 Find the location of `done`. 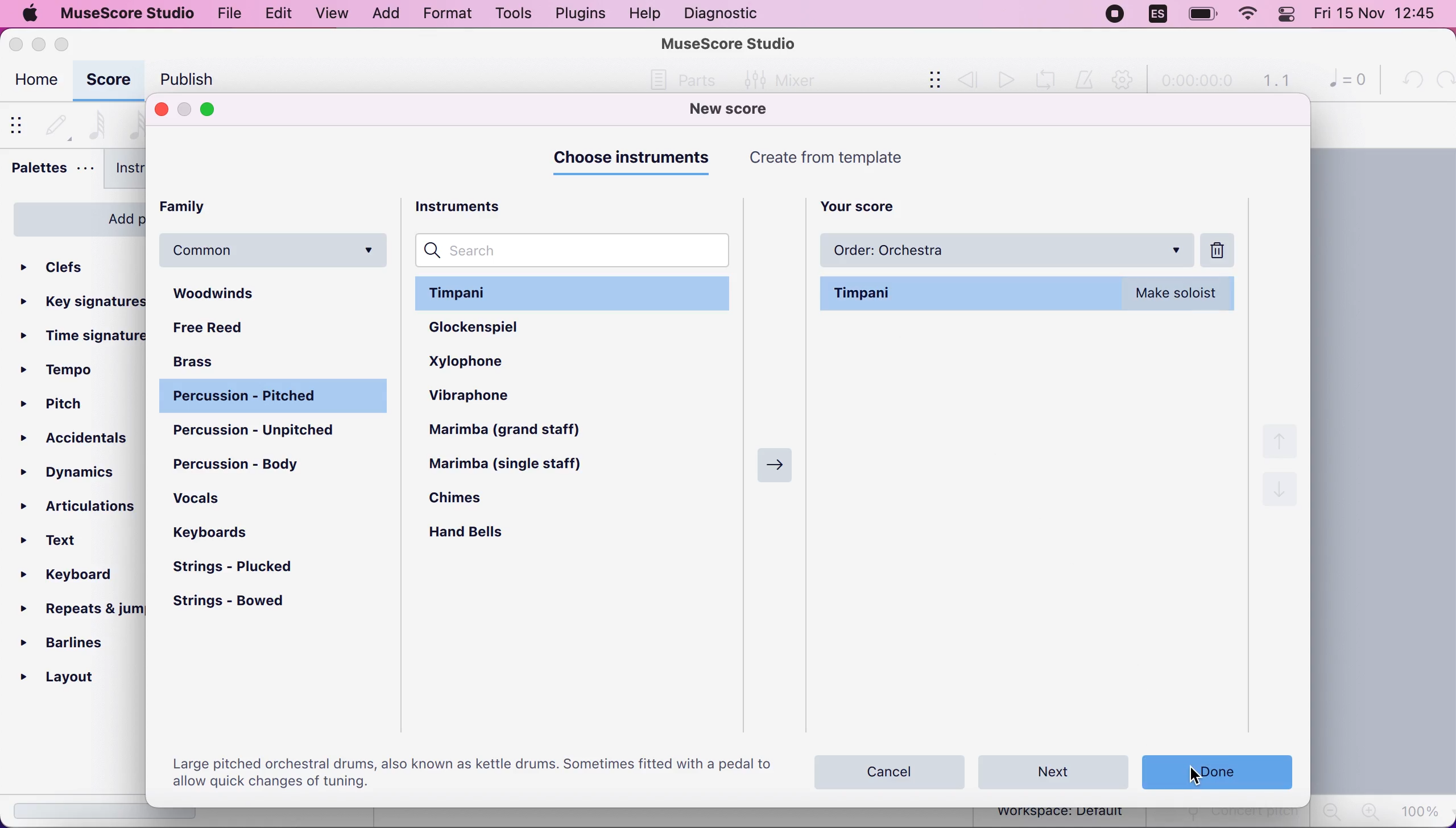

done is located at coordinates (1215, 769).